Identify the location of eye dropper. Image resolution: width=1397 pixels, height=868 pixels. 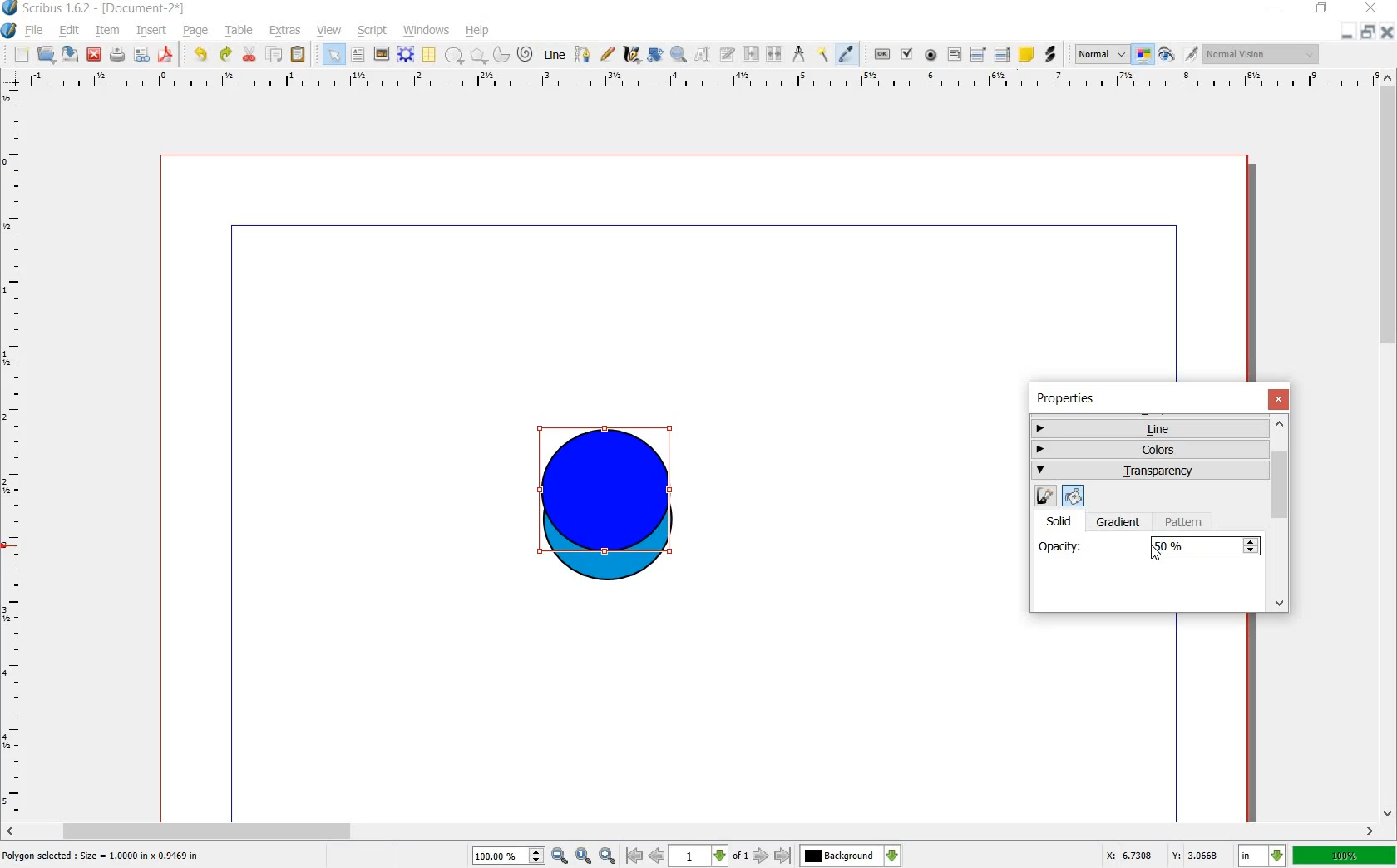
(846, 54).